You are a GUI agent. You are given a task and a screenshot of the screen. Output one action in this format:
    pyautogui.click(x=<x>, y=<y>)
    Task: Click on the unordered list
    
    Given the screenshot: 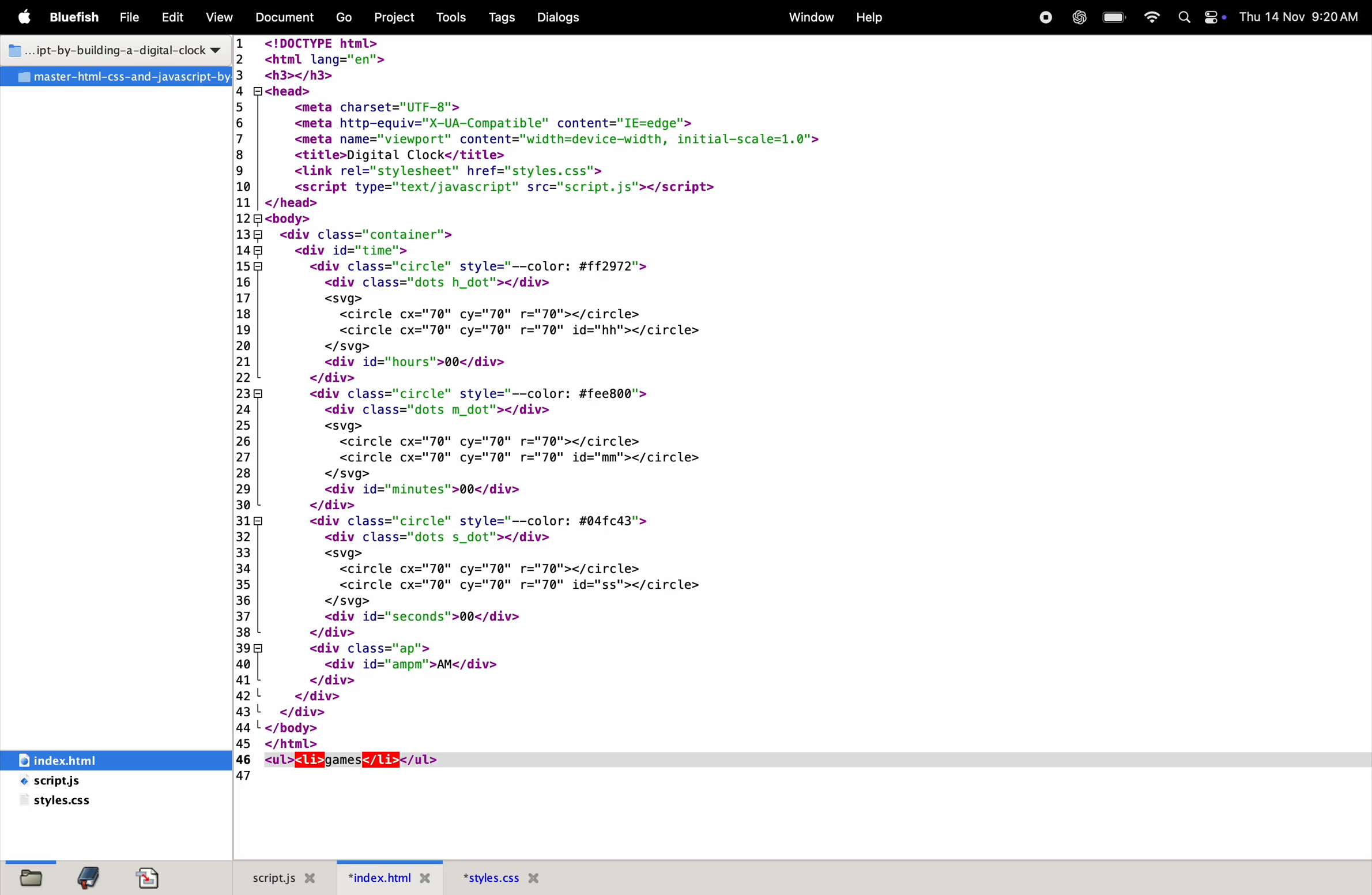 What is the action you would take?
    pyautogui.click(x=304, y=762)
    